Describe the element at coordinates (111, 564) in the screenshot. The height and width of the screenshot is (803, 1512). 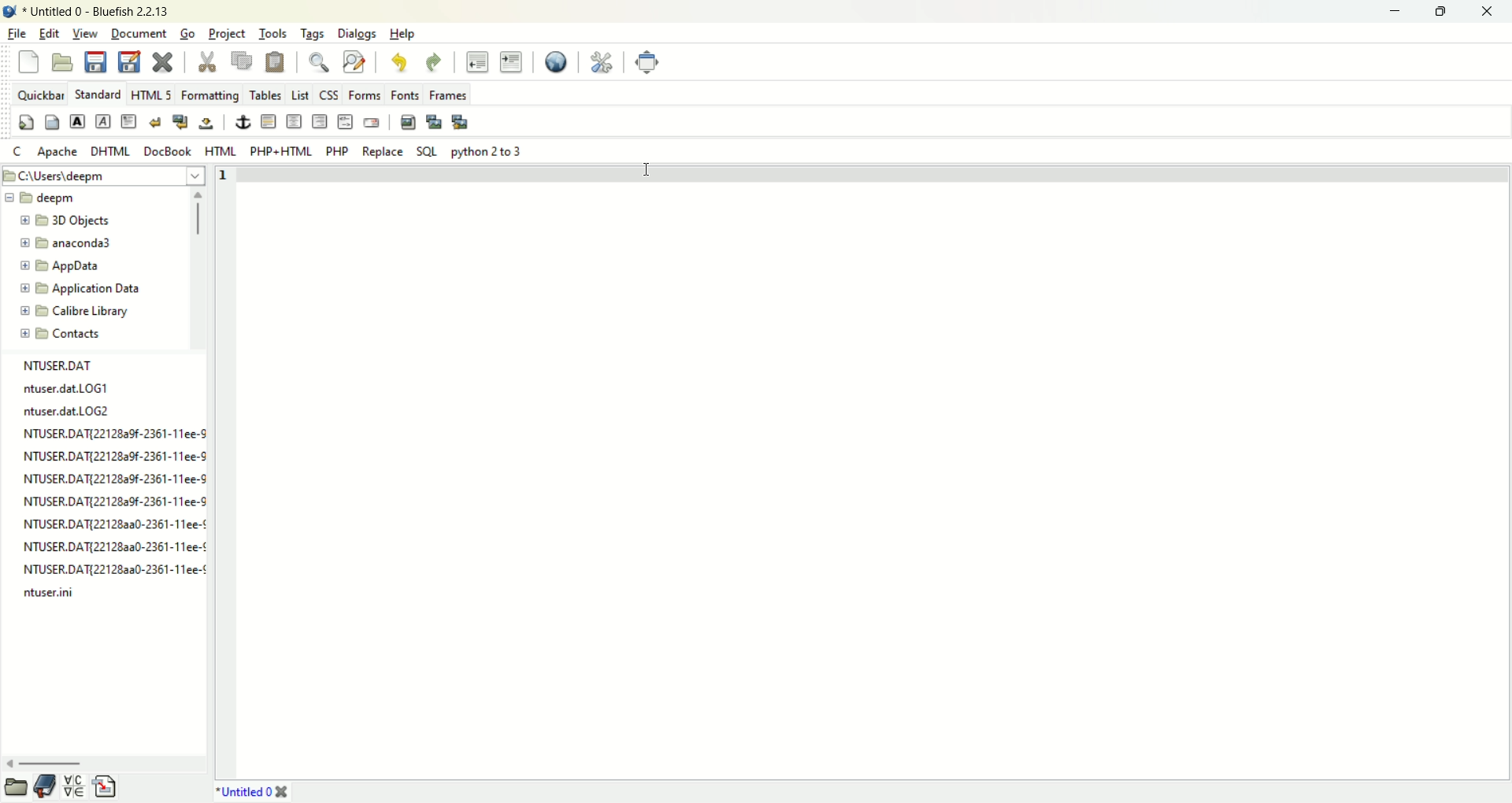
I see `NTUSER.DAT[22128aa0-2361-11ee-¢` at that location.